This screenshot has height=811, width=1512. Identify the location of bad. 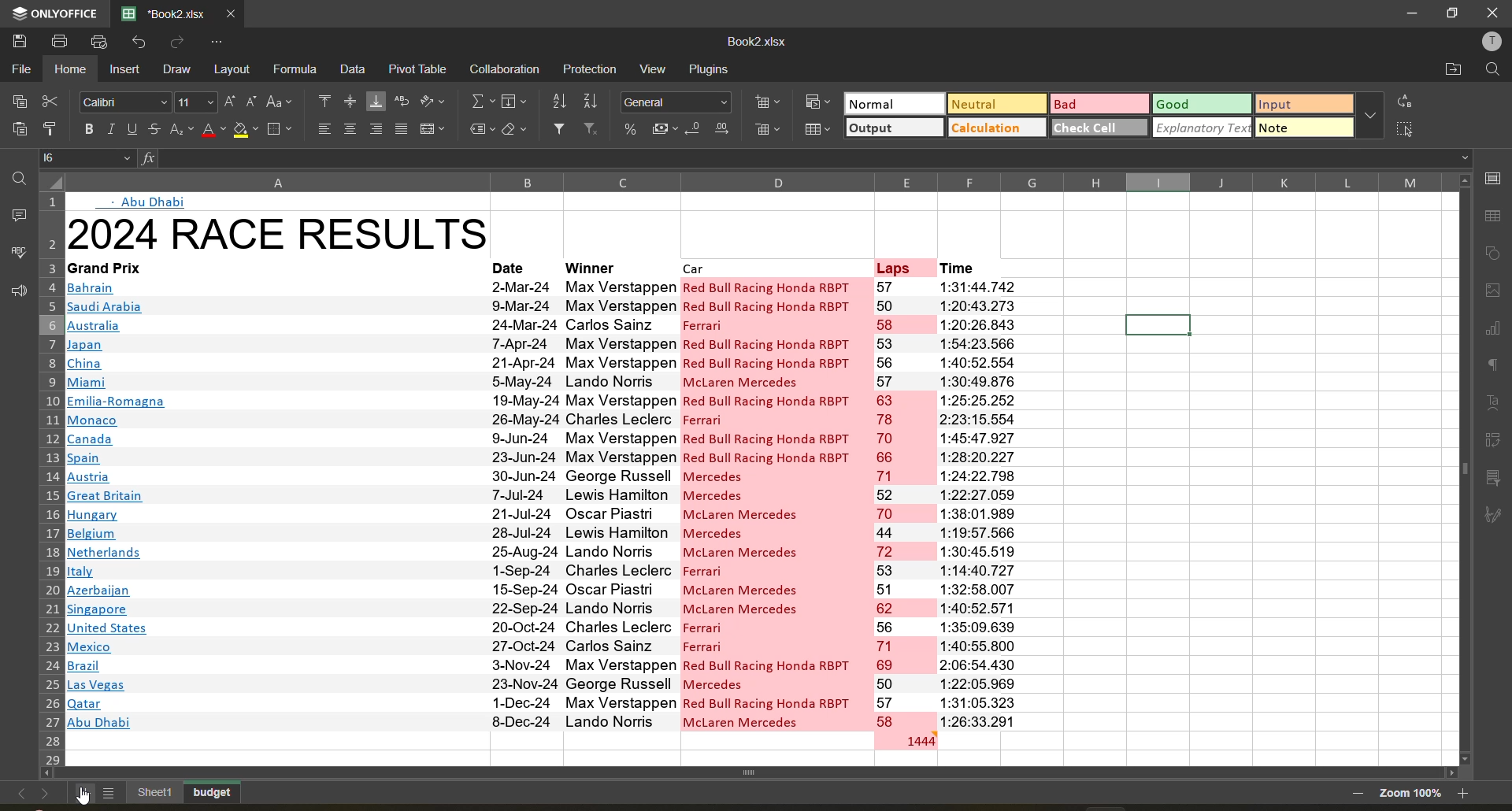
(1097, 104).